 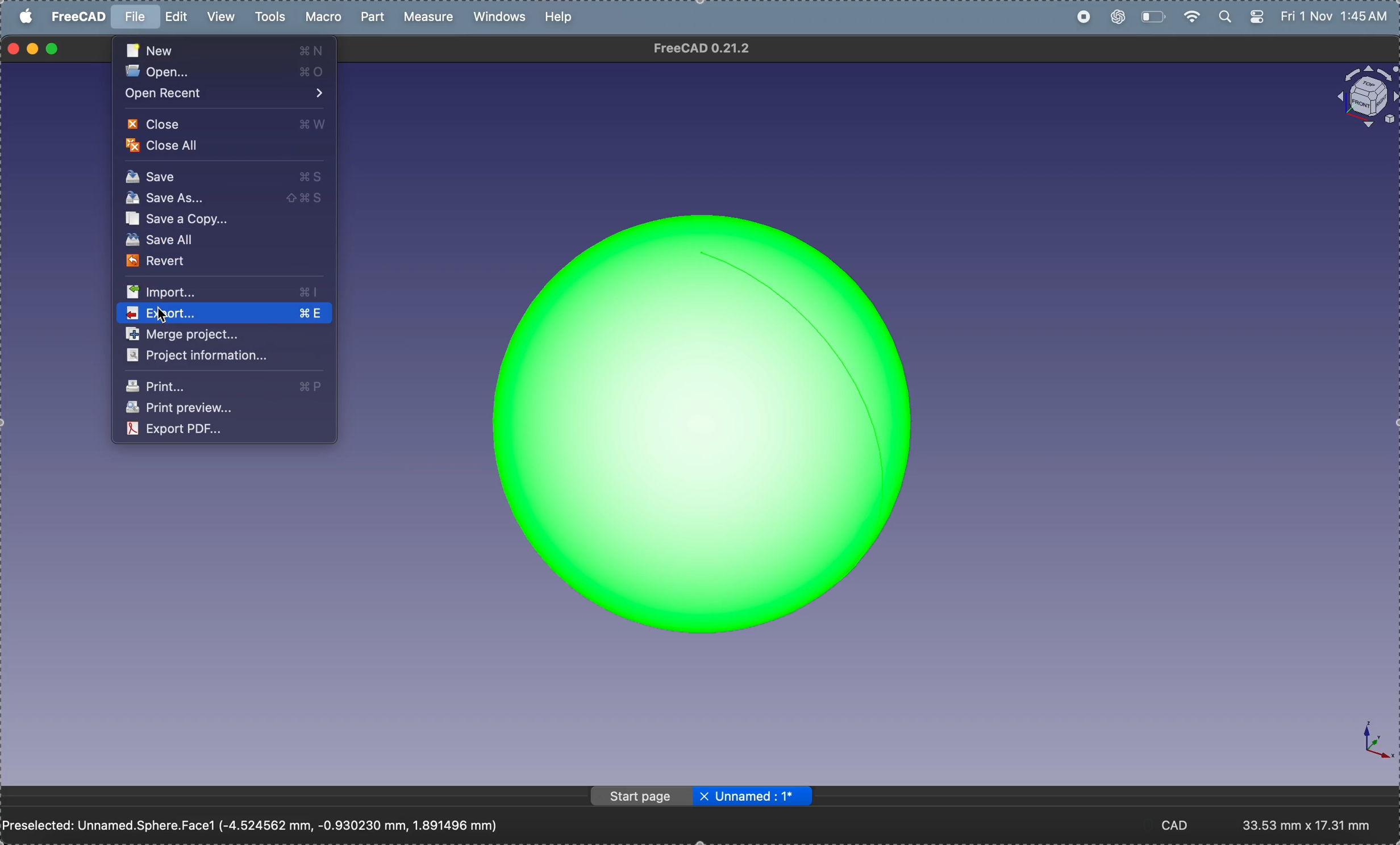 I want to click on cad, so click(x=1182, y=825).